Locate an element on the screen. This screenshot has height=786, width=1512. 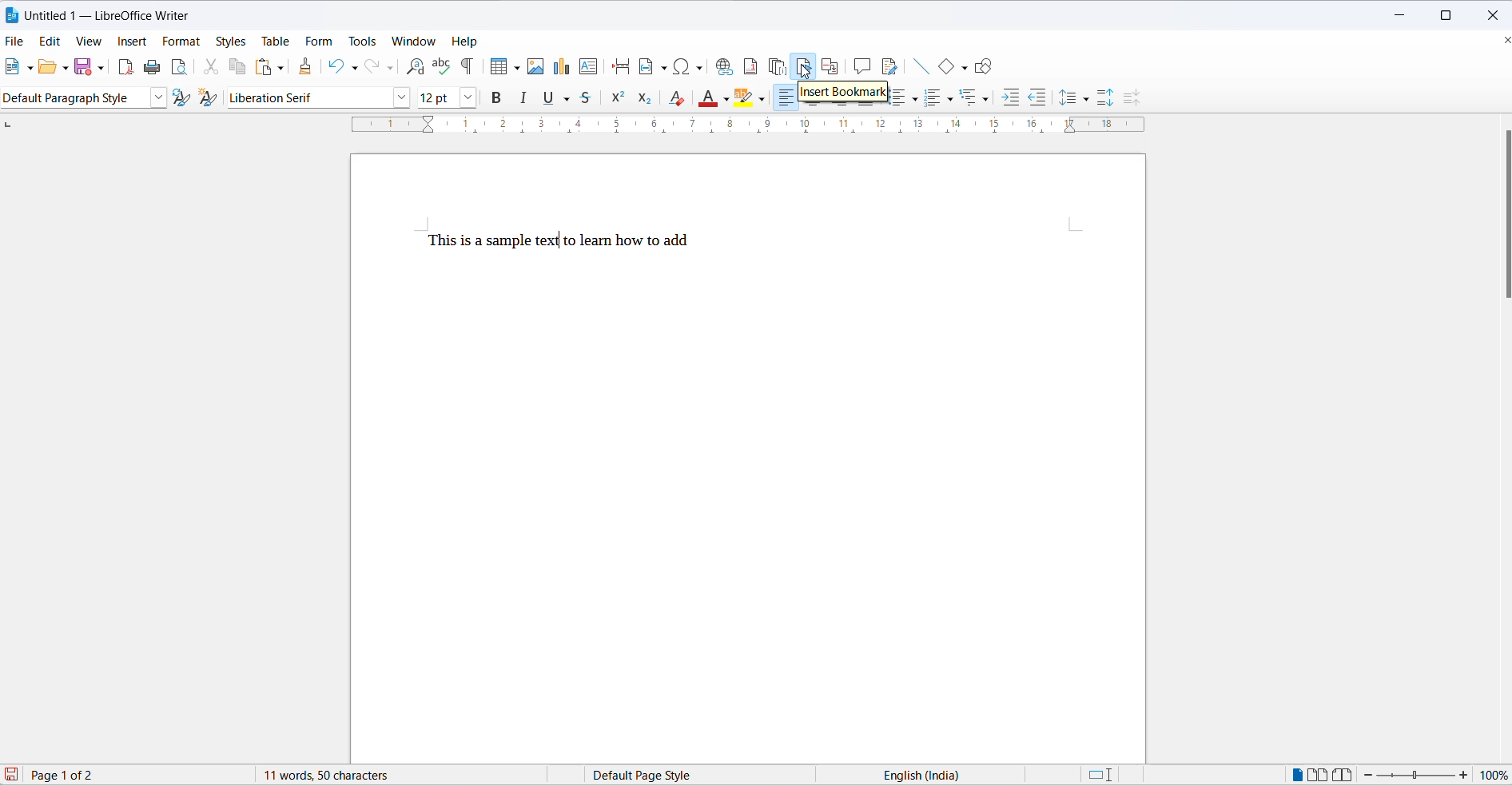
open options is located at coordinates (66, 68).